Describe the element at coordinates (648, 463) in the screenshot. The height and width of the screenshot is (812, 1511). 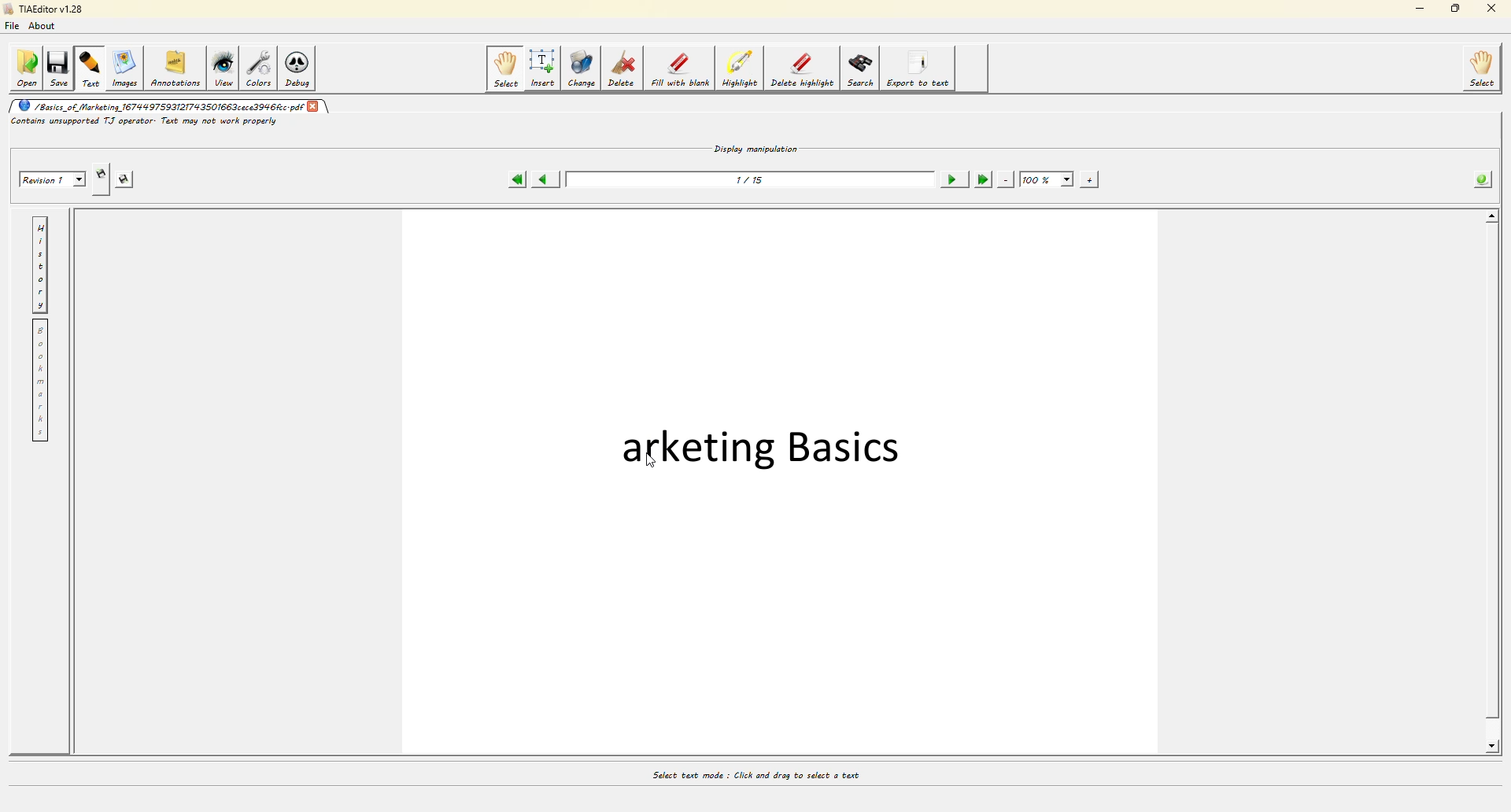
I see `cursor` at that location.